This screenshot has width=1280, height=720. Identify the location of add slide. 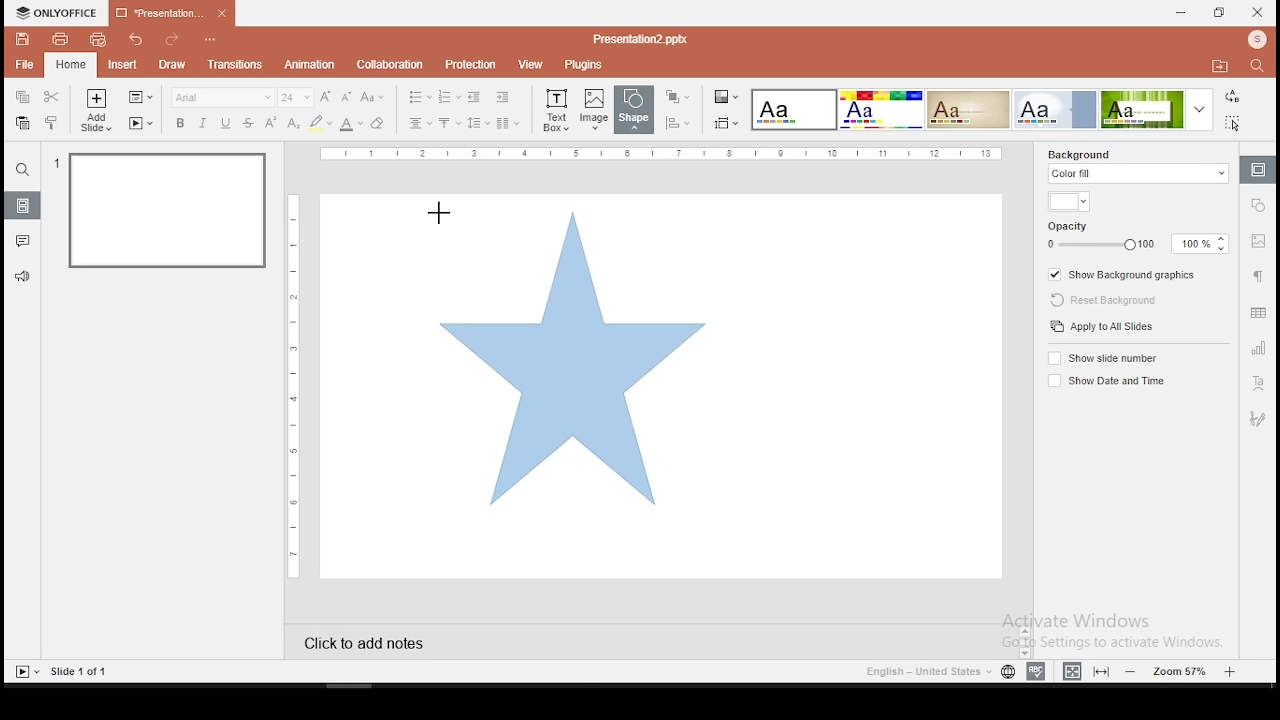
(96, 110).